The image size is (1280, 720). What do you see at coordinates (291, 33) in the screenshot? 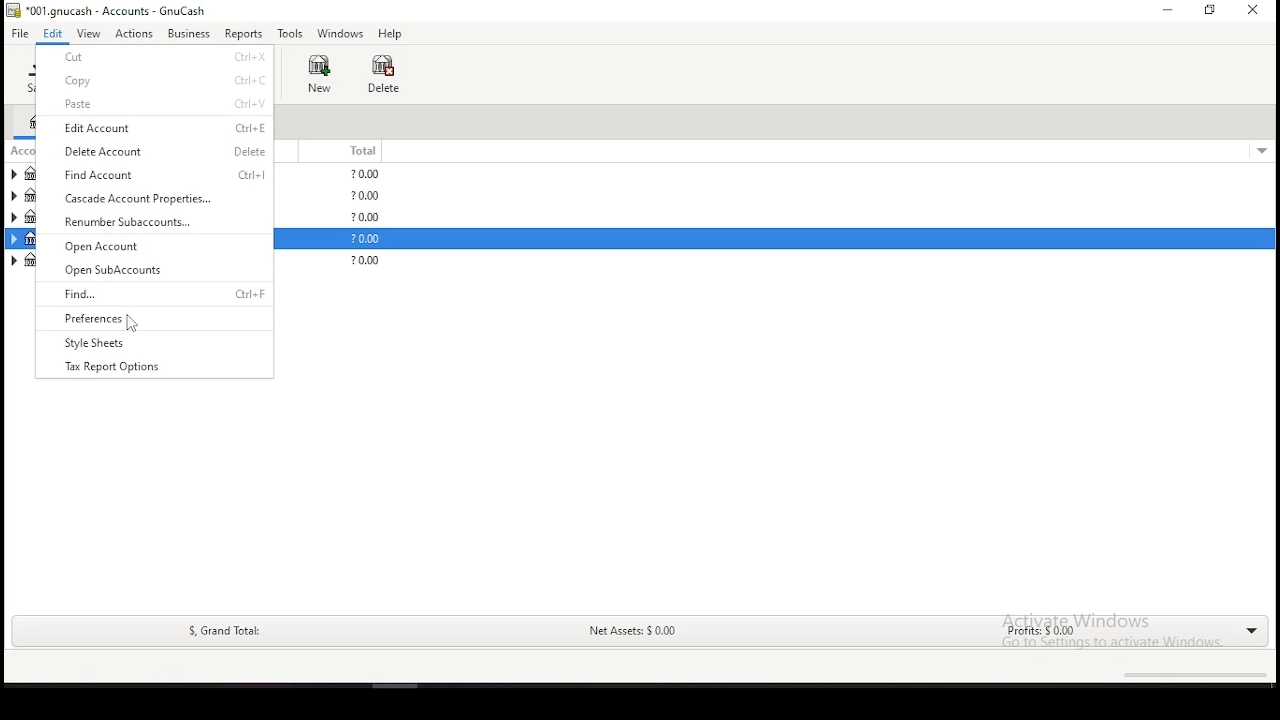
I see `tools` at bounding box center [291, 33].